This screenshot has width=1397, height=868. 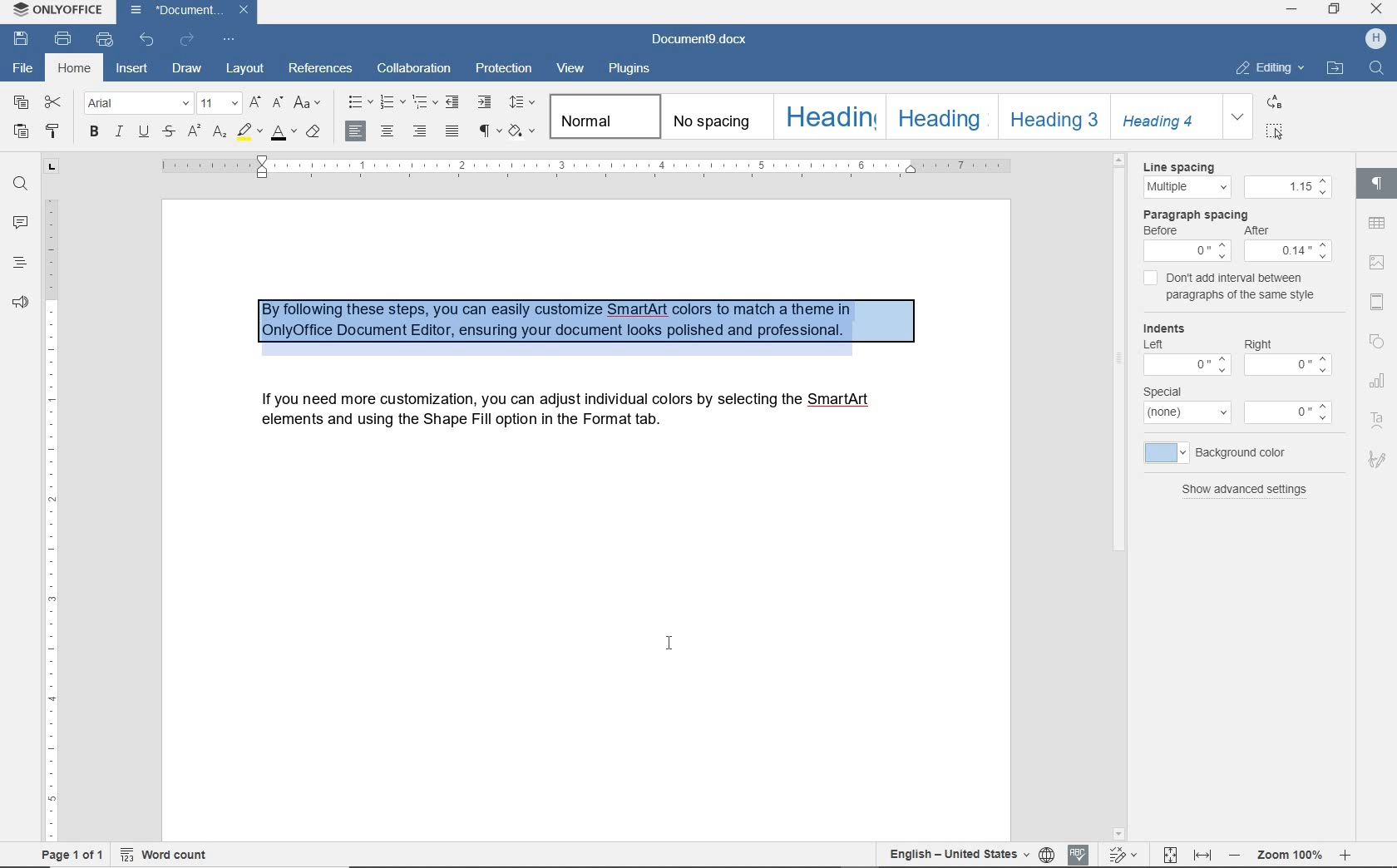 What do you see at coordinates (194, 131) in the screenshot?
I see `superscript` at bounding box center [194, 131].